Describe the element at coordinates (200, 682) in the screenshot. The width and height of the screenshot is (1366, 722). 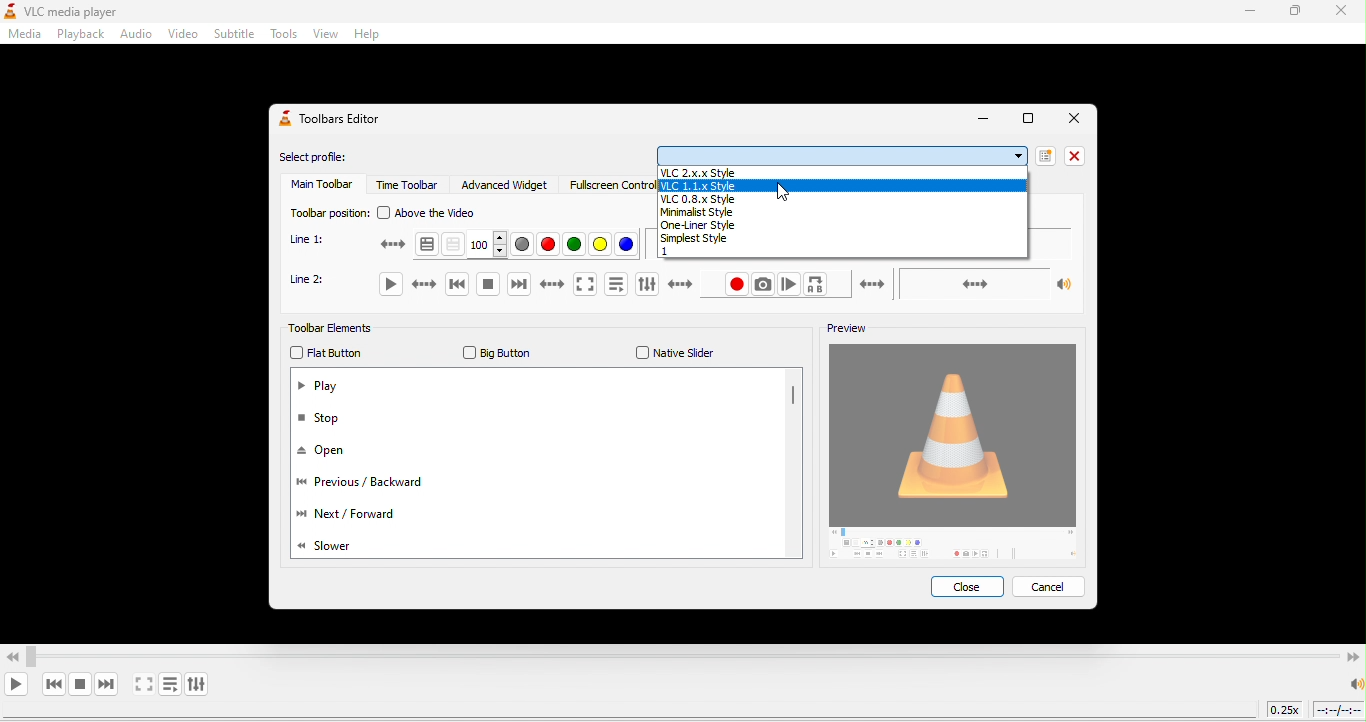
I see `show extended settings` at that location.